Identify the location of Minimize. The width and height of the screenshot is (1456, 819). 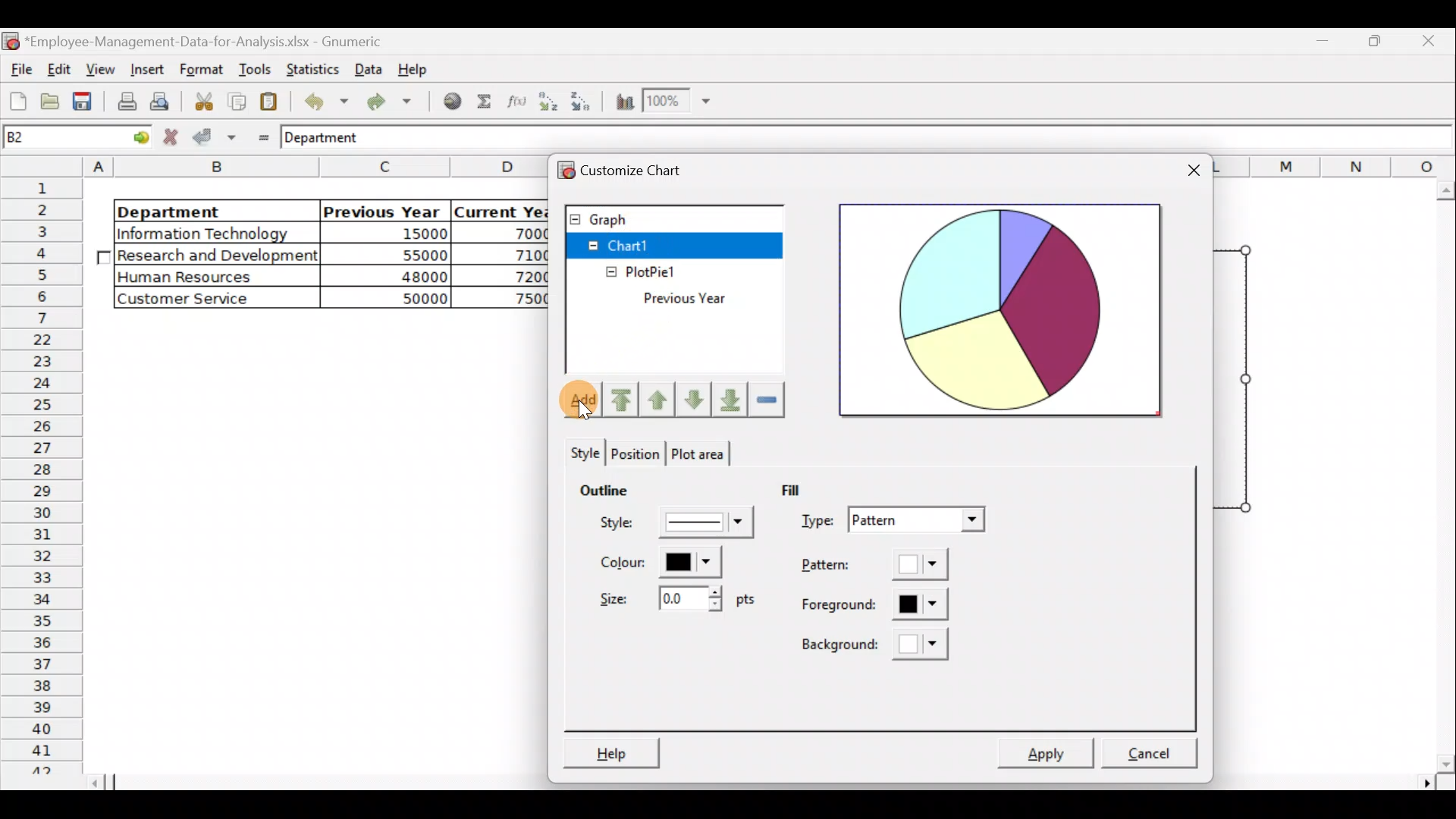
(1376, 46).